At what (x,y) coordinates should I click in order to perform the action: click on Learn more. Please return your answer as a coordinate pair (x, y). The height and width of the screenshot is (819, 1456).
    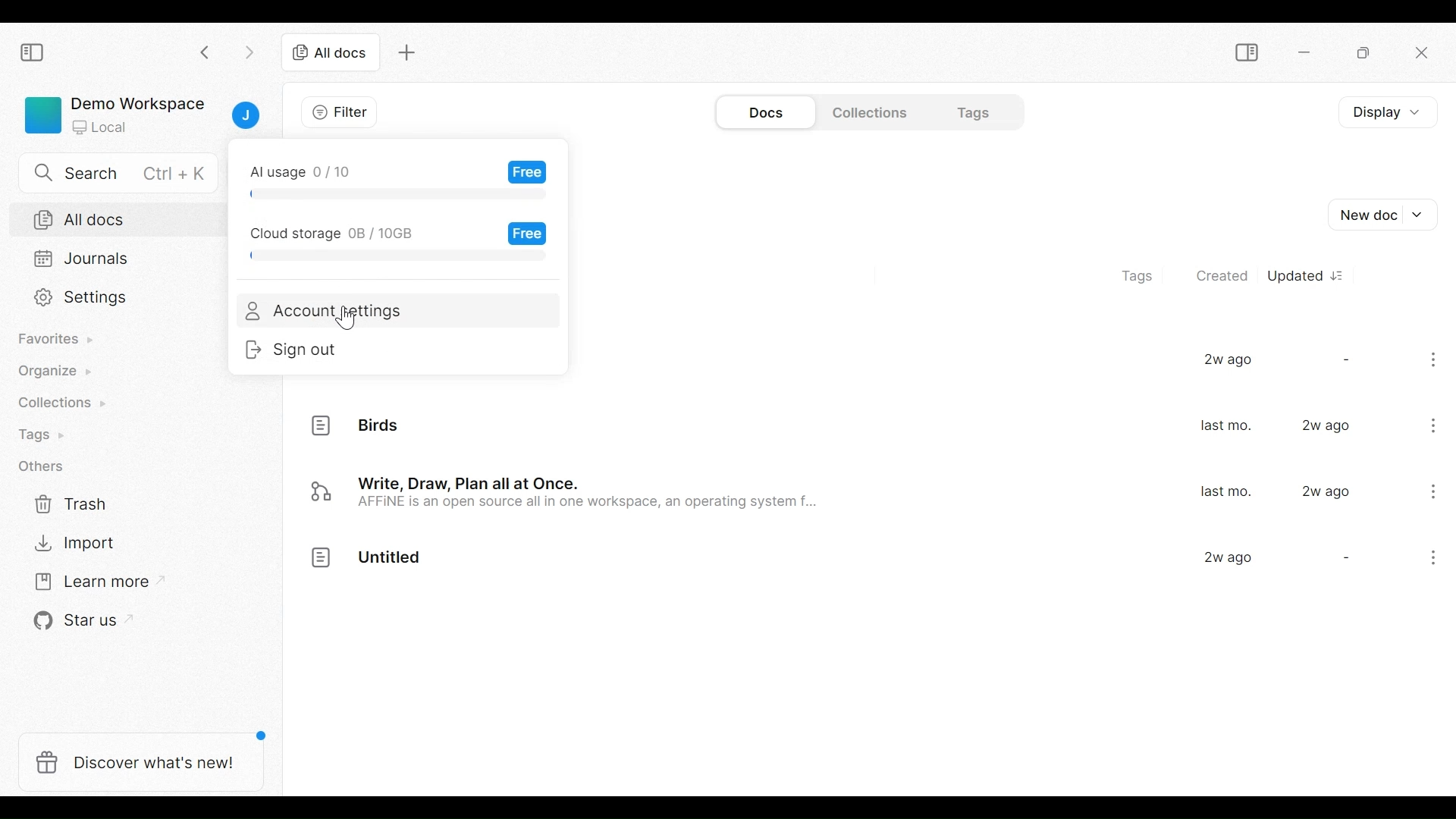
    Looking at the image, I should click on (87, 582).